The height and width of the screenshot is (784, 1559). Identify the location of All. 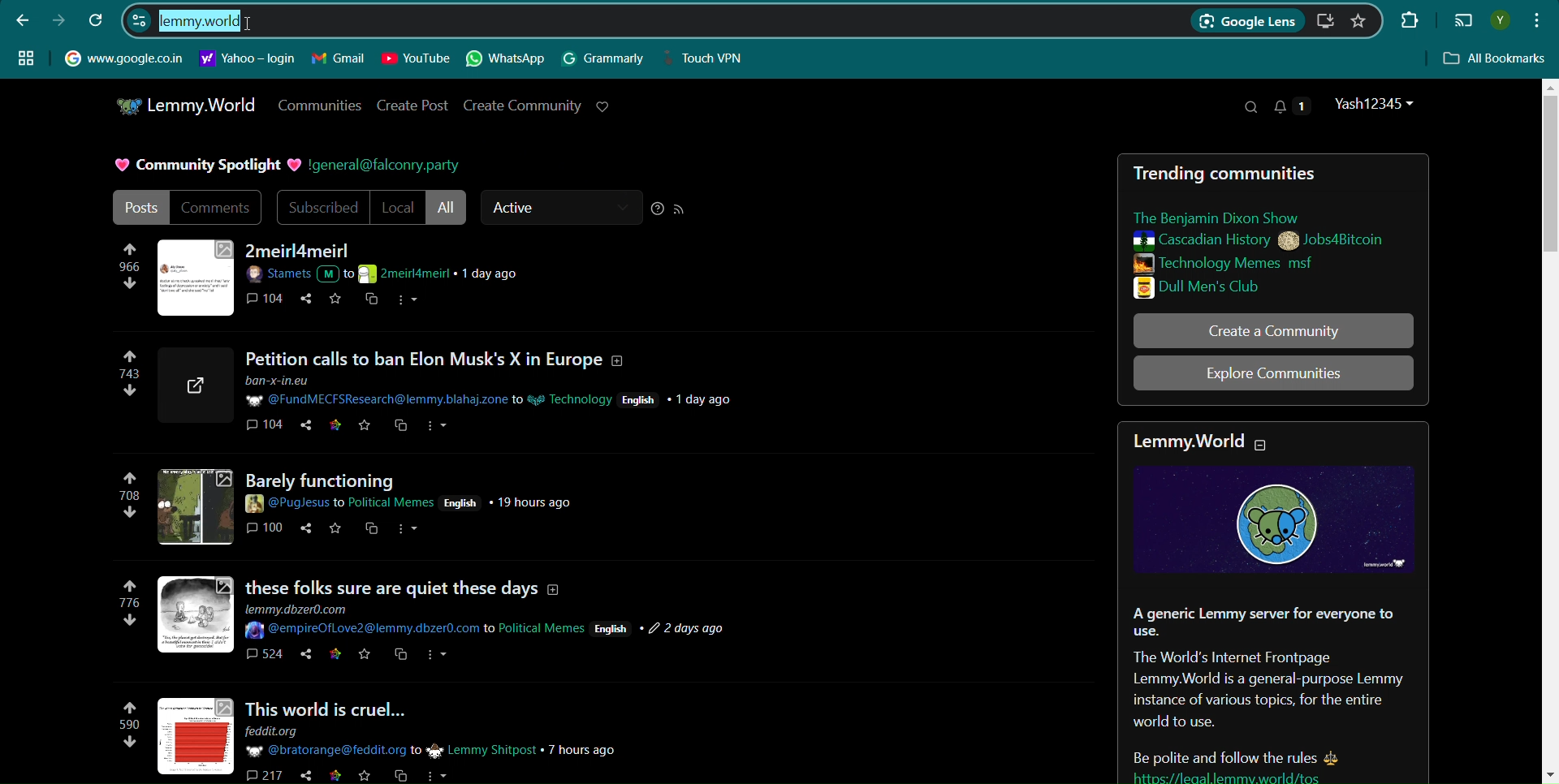
(448, 208).